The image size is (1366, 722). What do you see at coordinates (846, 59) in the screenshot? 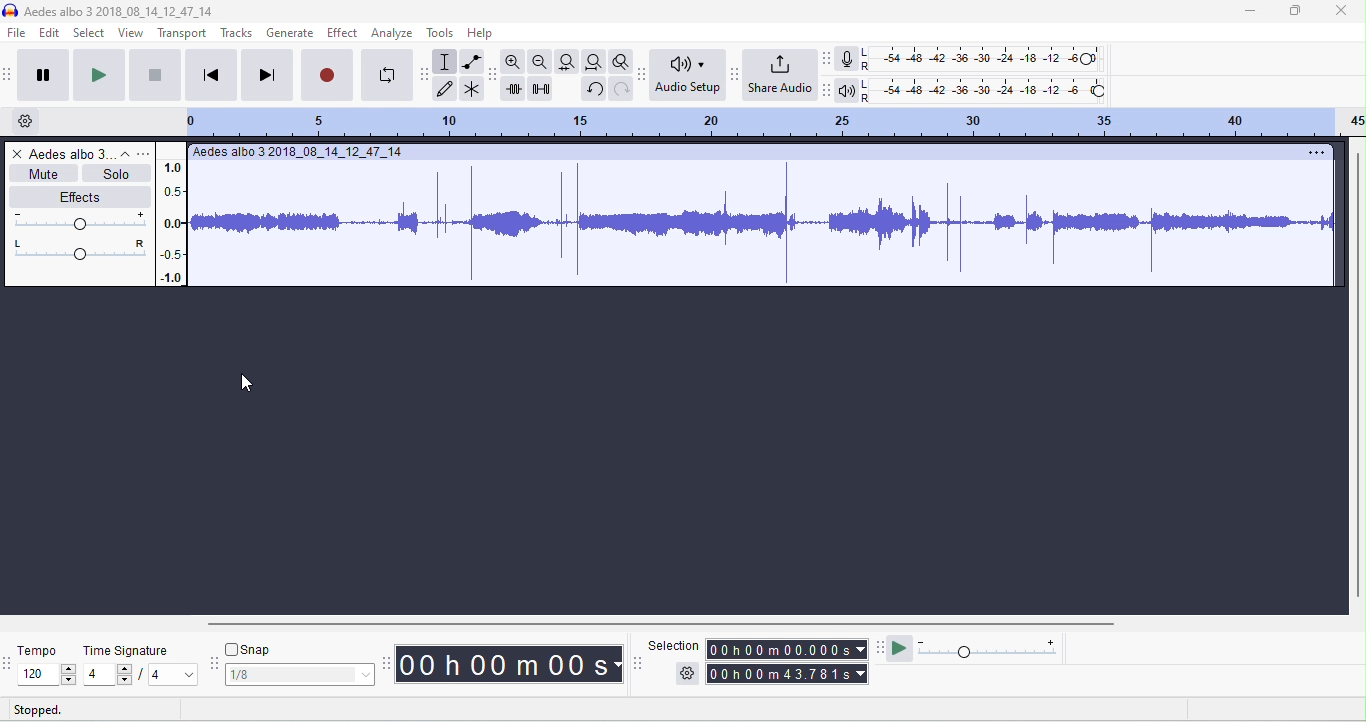
I see `record meter` at bounding box center [846, 59].